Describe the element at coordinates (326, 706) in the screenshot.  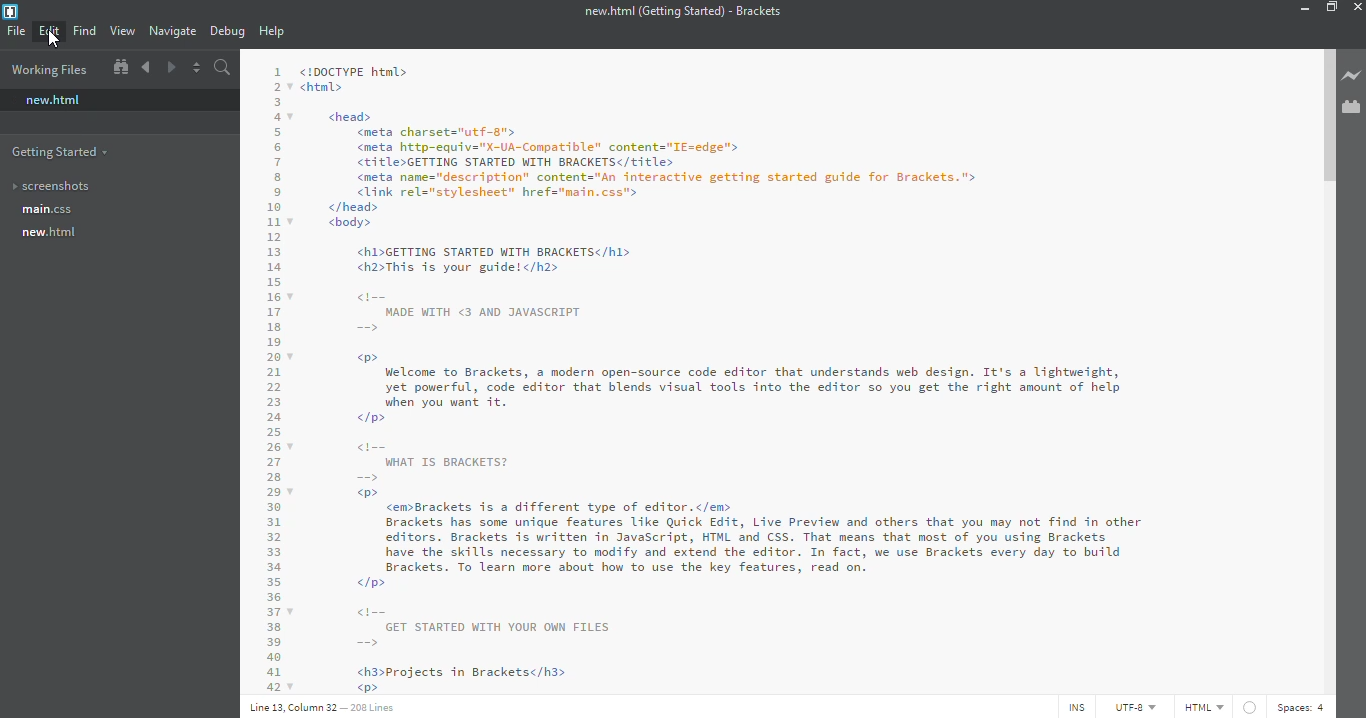
I see `line 13, column 32- 208 lines` at that location.